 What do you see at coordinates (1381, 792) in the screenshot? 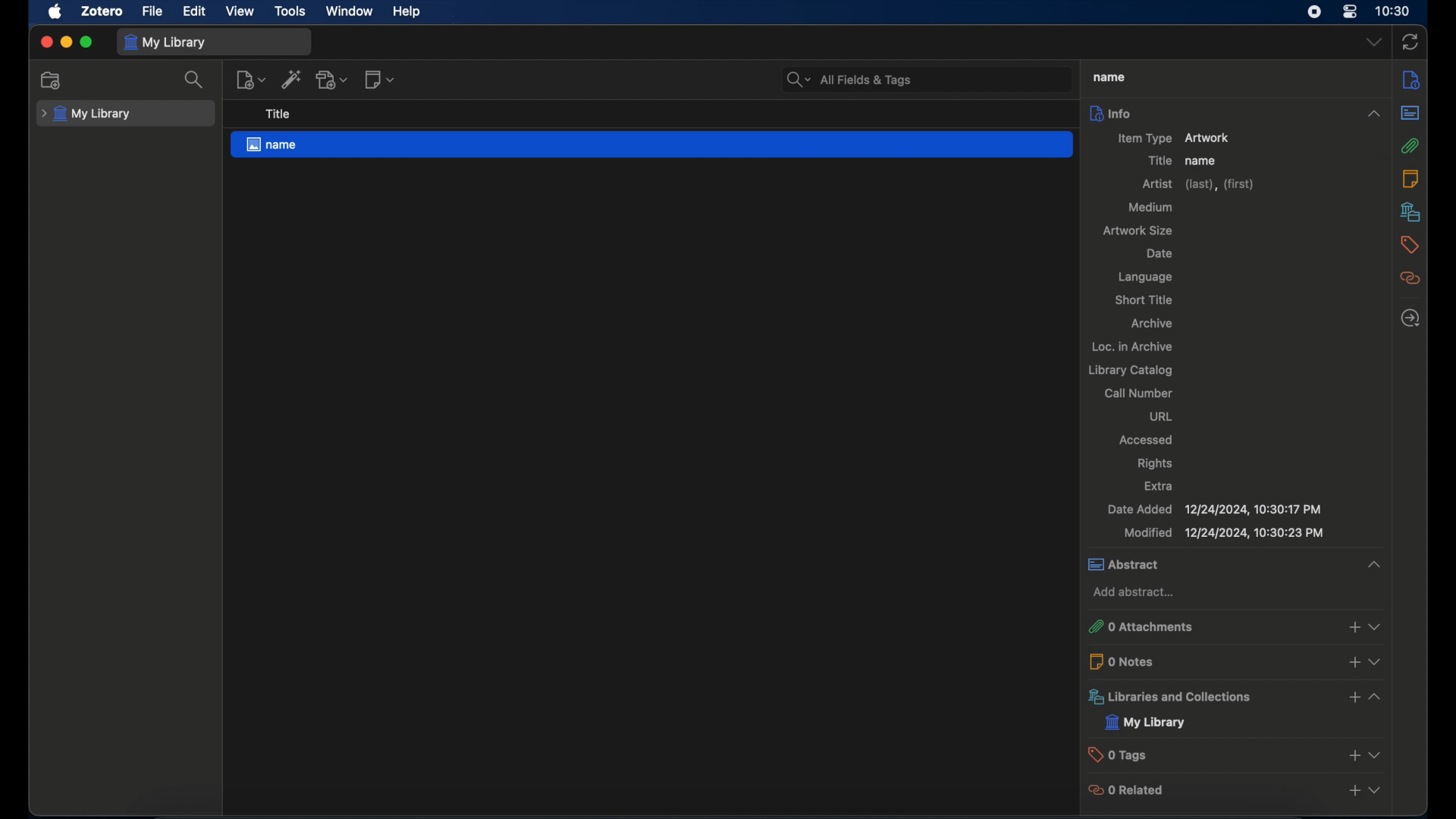
I see `expand section` at bounding box center [1381, 792].